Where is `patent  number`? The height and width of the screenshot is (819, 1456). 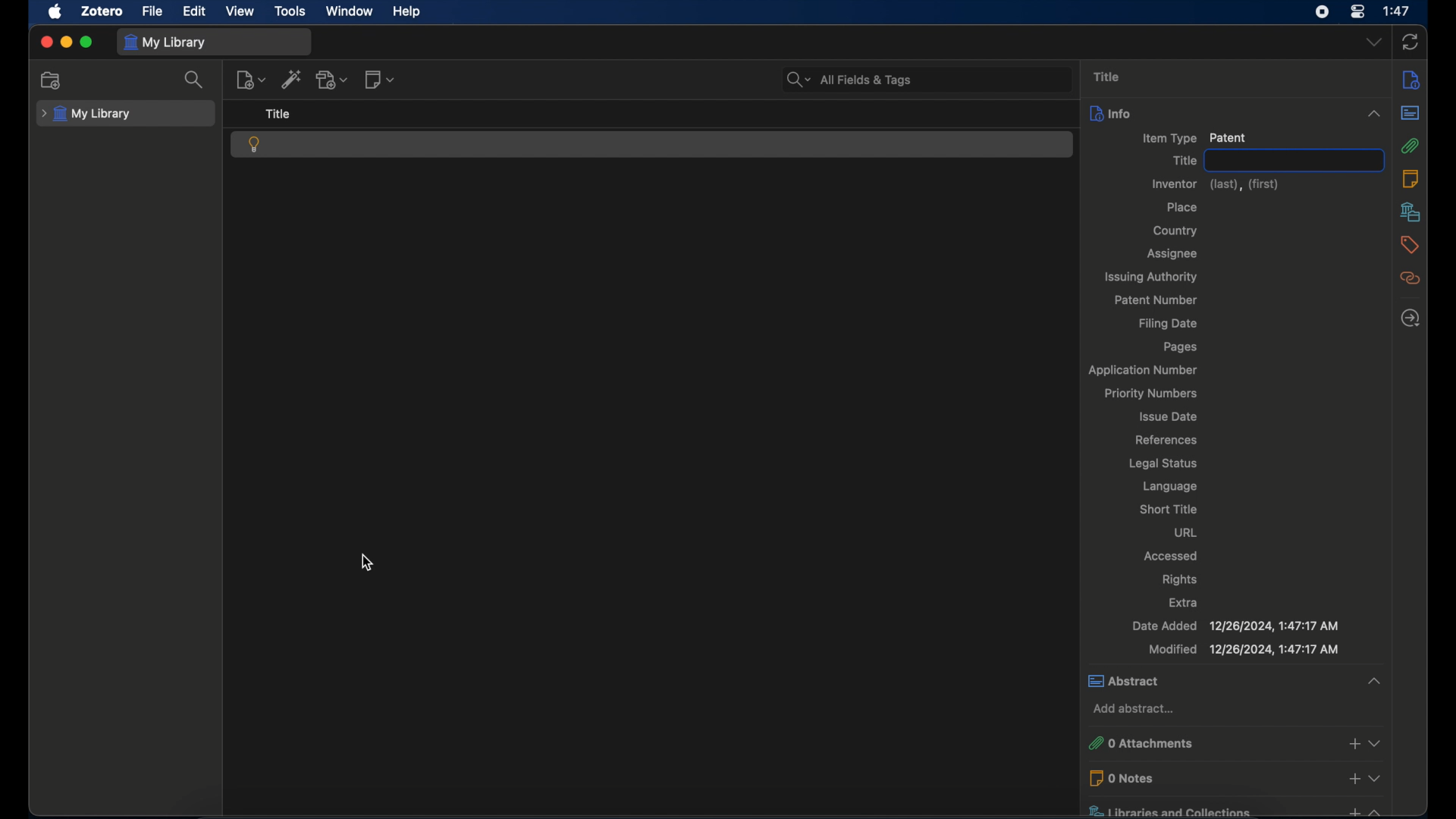
patent  number is located at coordinates (1156, 300).